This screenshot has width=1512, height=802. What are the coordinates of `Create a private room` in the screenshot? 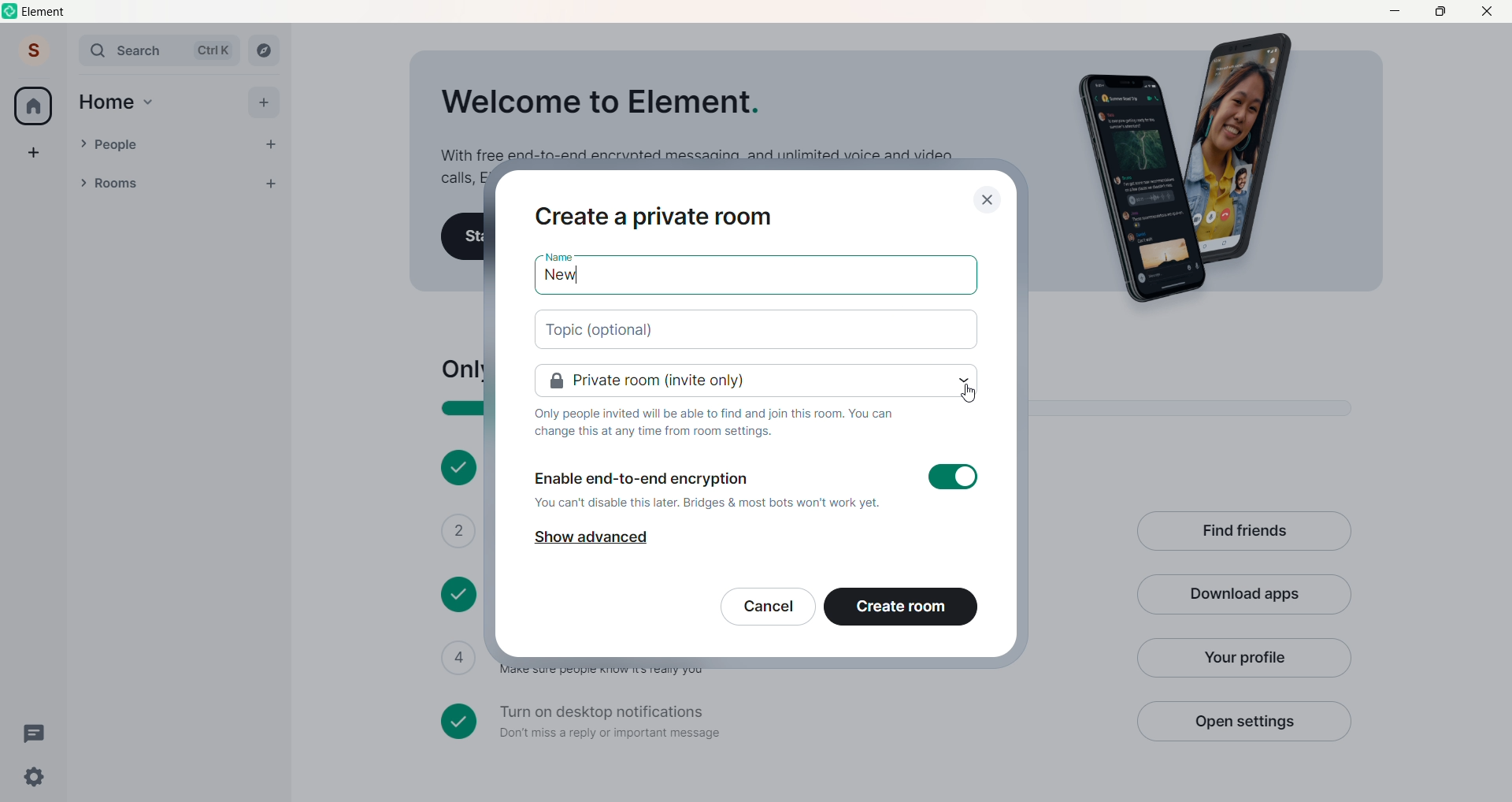 It's located at (655, 217).